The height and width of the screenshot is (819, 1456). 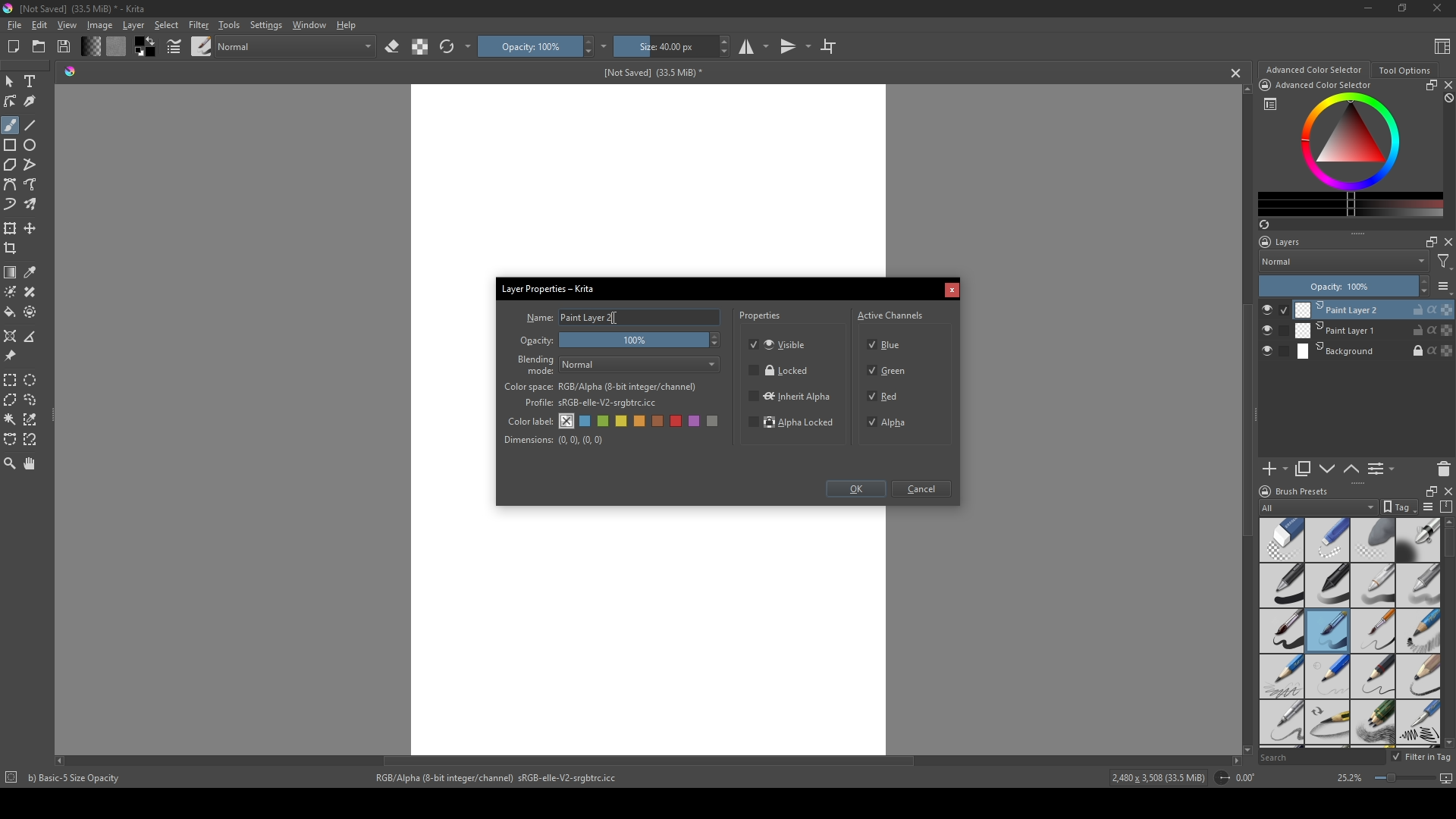 What do you see at coordinates (1281, 586) in the screenshot?
I see `pen` at bounding box center [1281, 586].